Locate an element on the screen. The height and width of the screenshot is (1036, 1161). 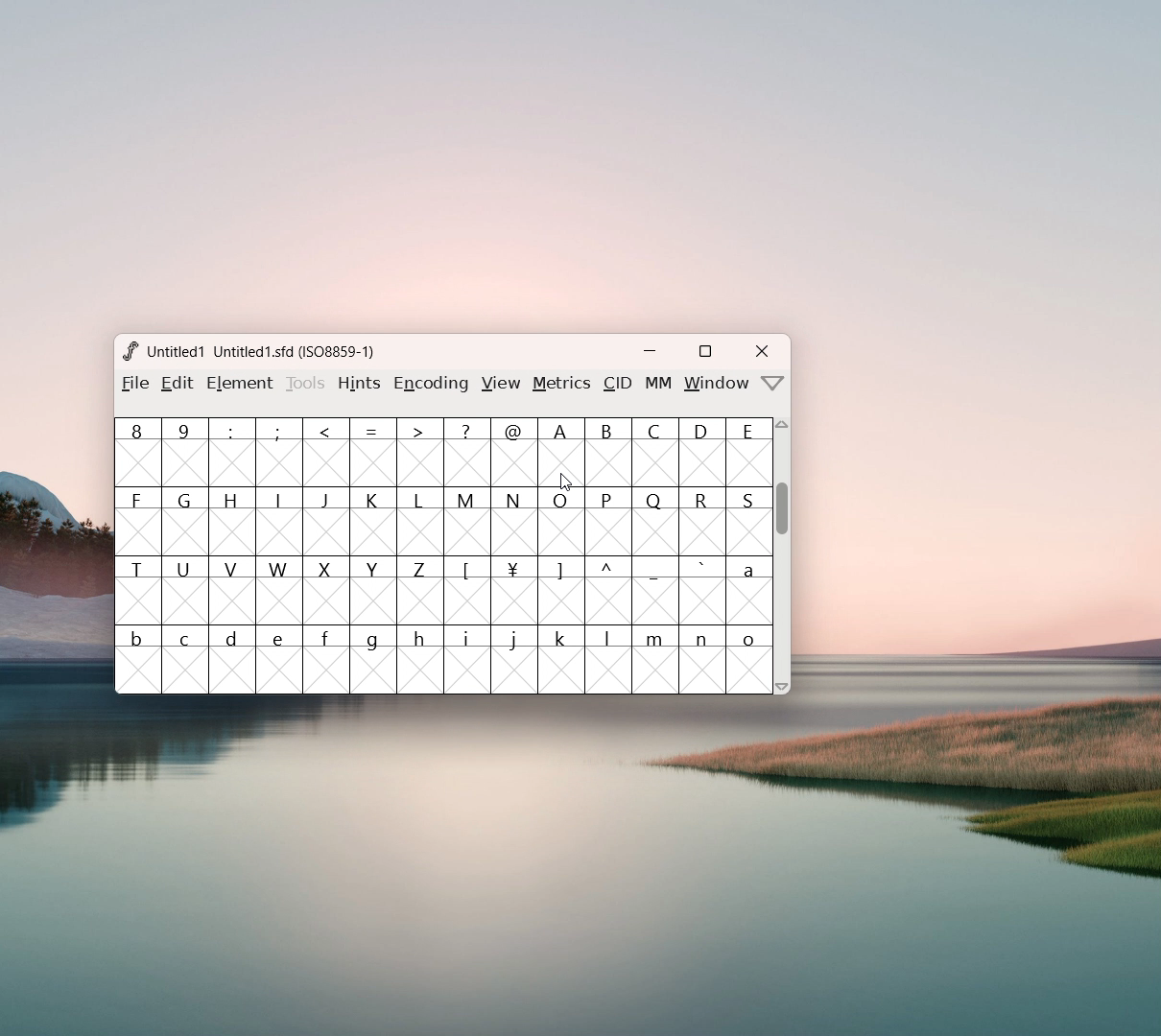
view is located at coordinates (500, 385).